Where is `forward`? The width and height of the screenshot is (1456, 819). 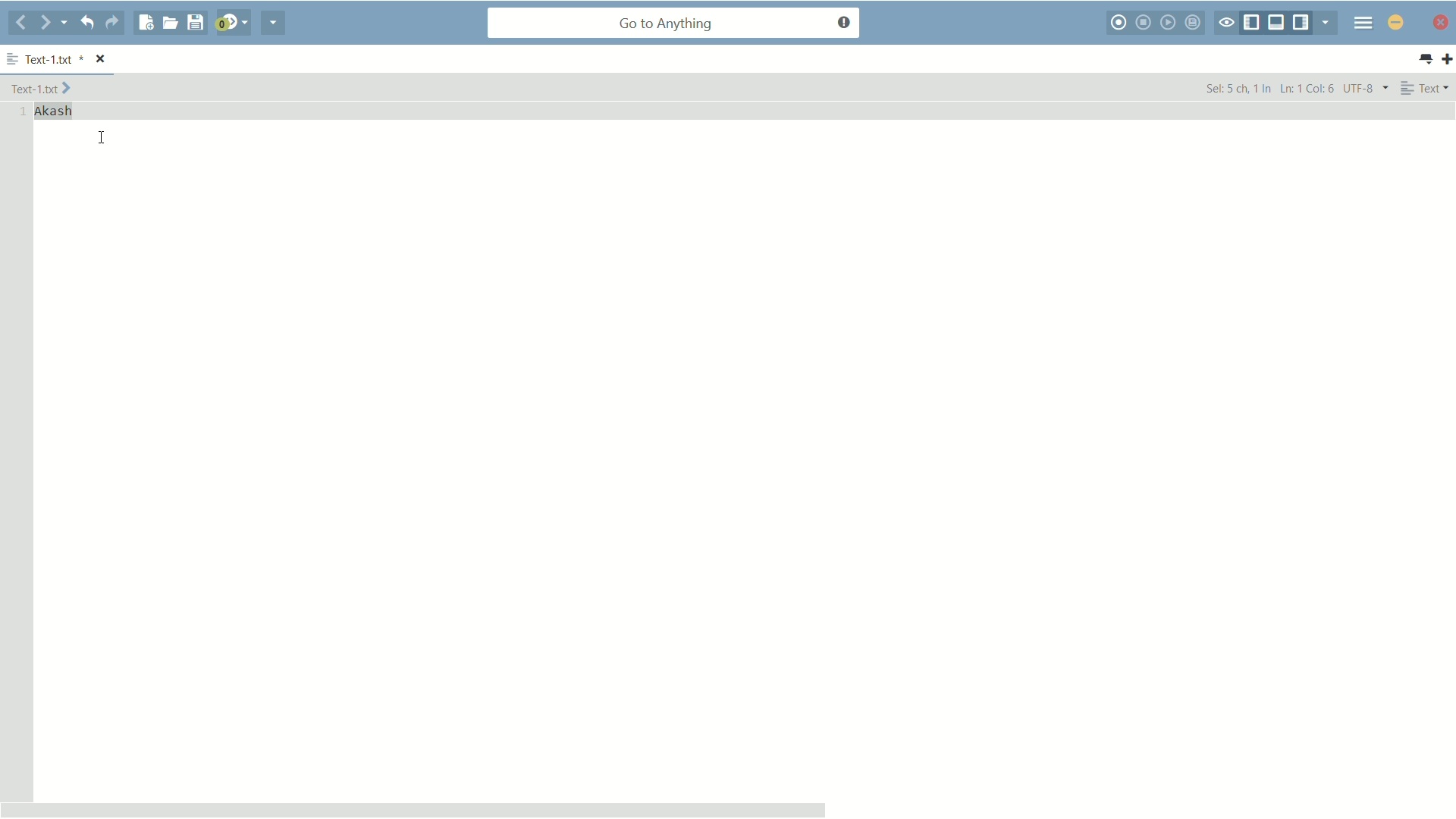 forward is located at coordinates (54, 23).